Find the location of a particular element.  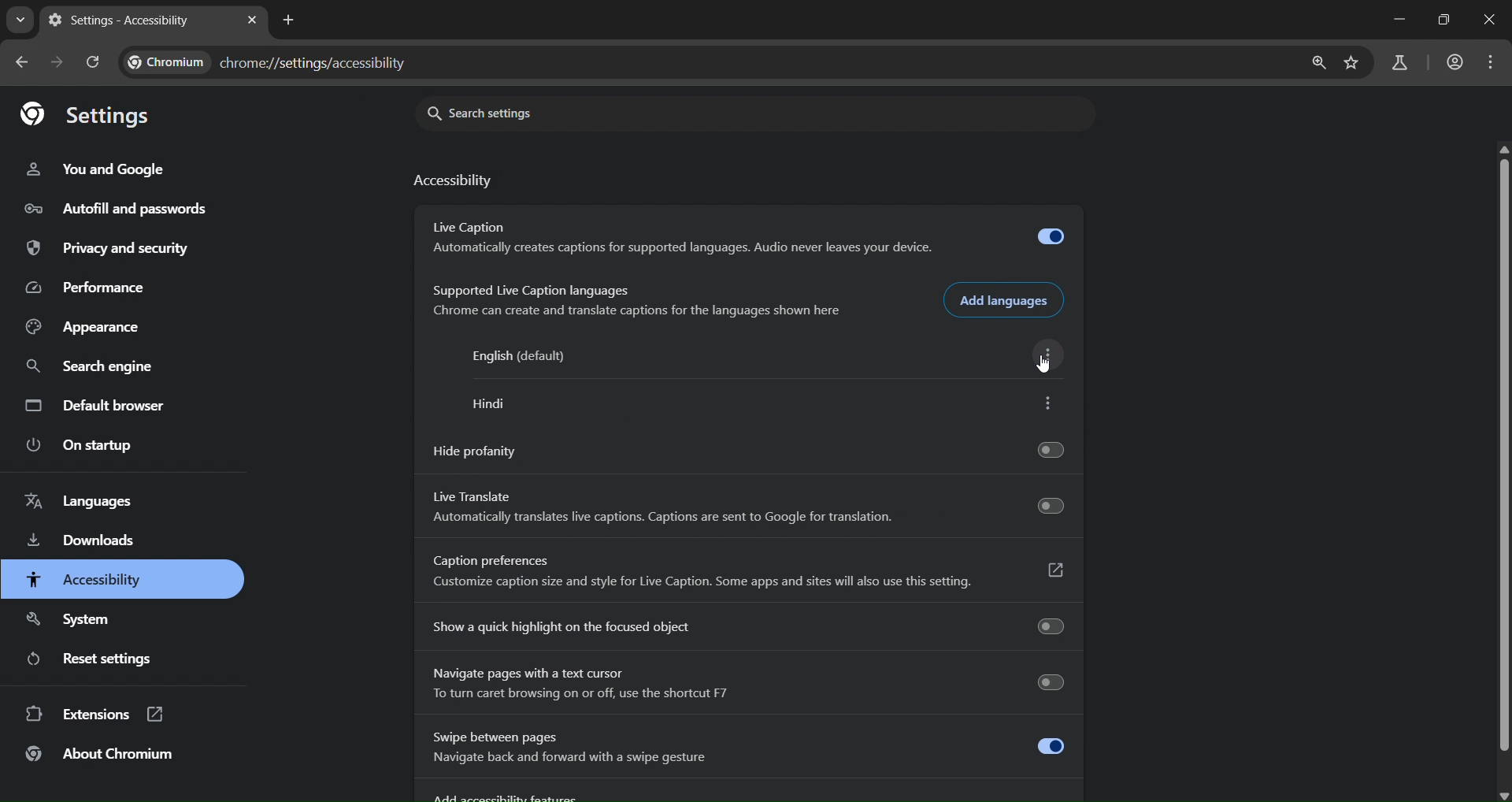

about chromium is located at coordinates (100, 755).